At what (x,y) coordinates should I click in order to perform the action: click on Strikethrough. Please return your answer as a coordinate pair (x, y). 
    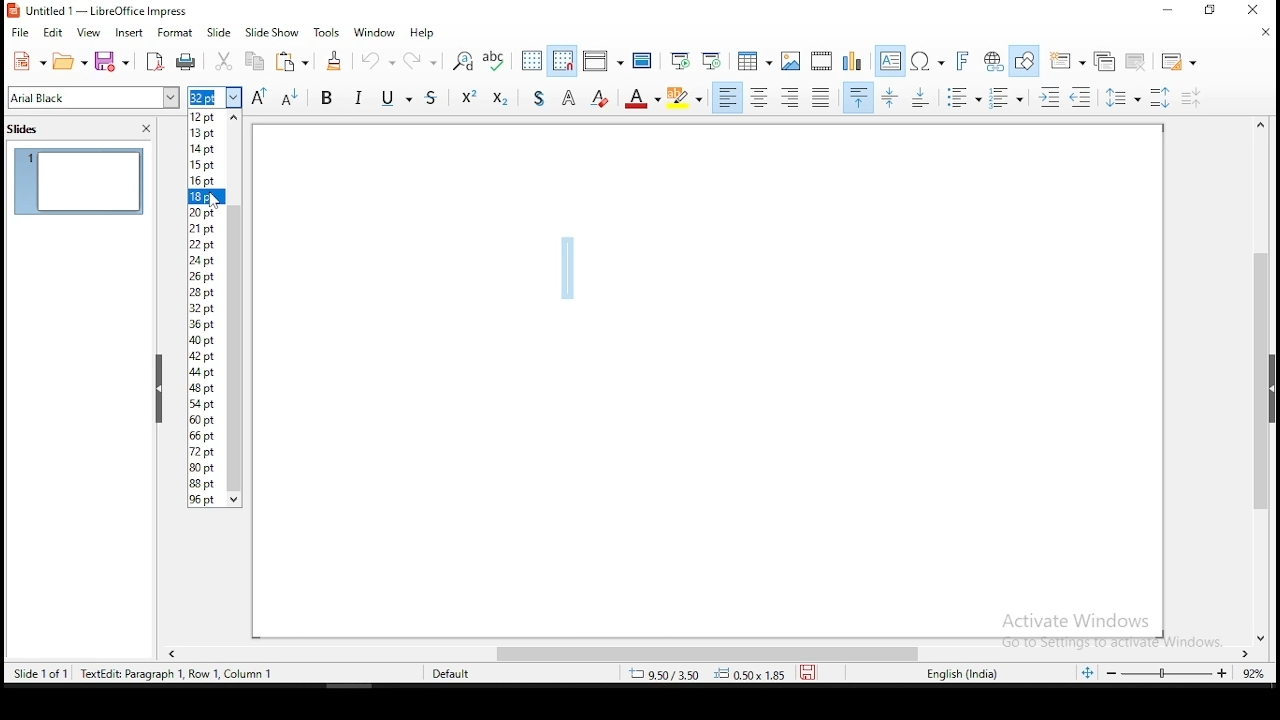
    Looking at the image, I should click on (433, 95).